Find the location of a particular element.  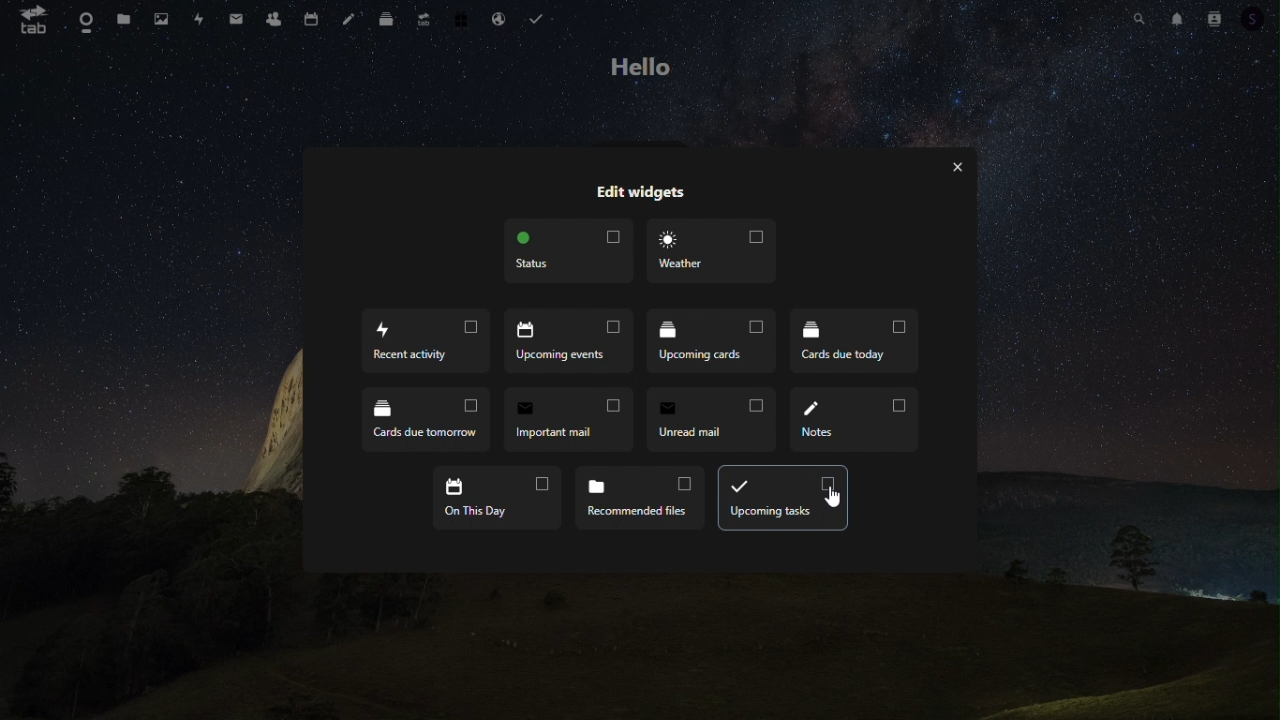

mail is located at coordinates (234, 19).